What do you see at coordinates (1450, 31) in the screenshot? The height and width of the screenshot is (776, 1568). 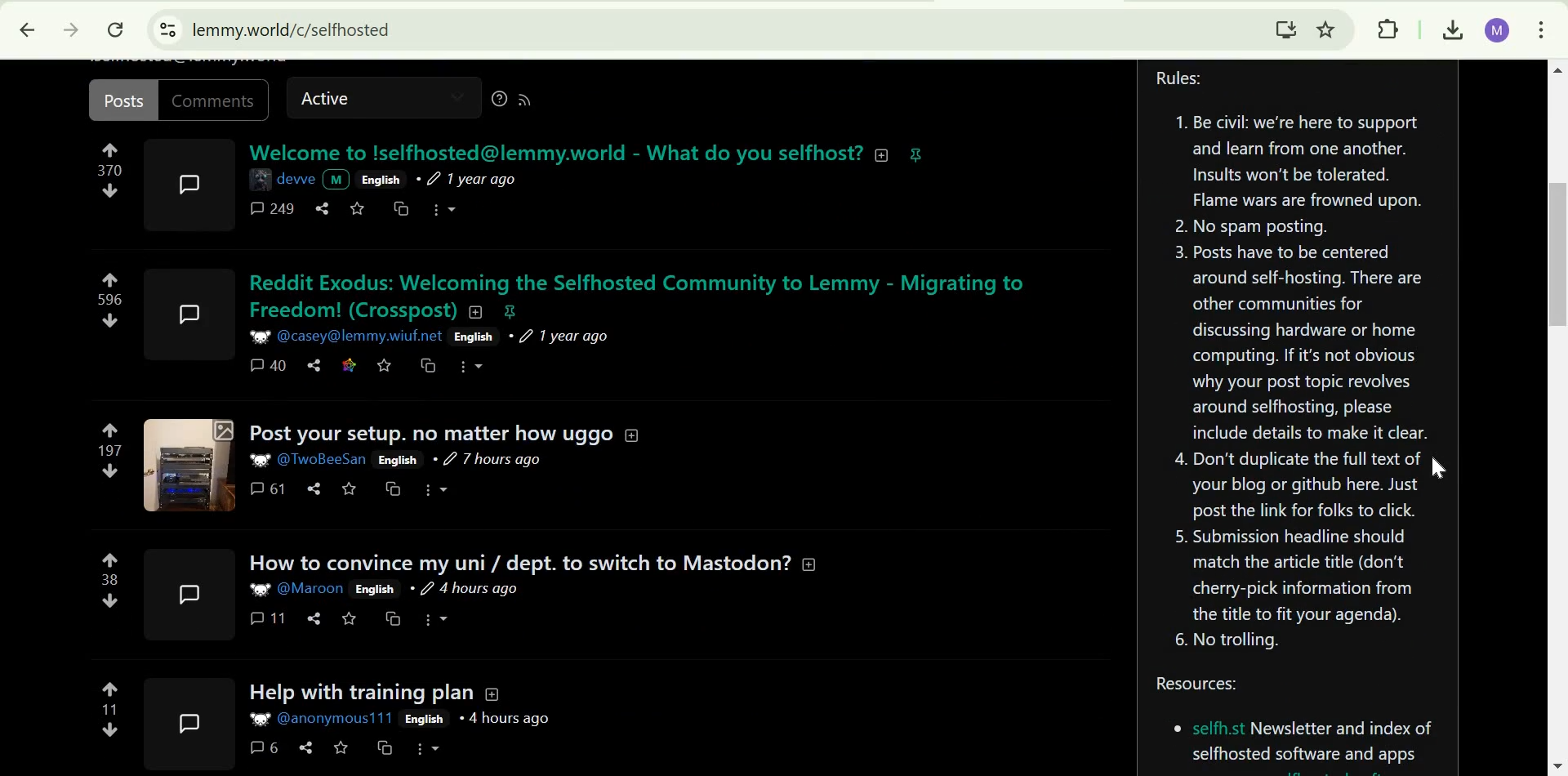 I see `downloads` at bounding box center [1450, 31].